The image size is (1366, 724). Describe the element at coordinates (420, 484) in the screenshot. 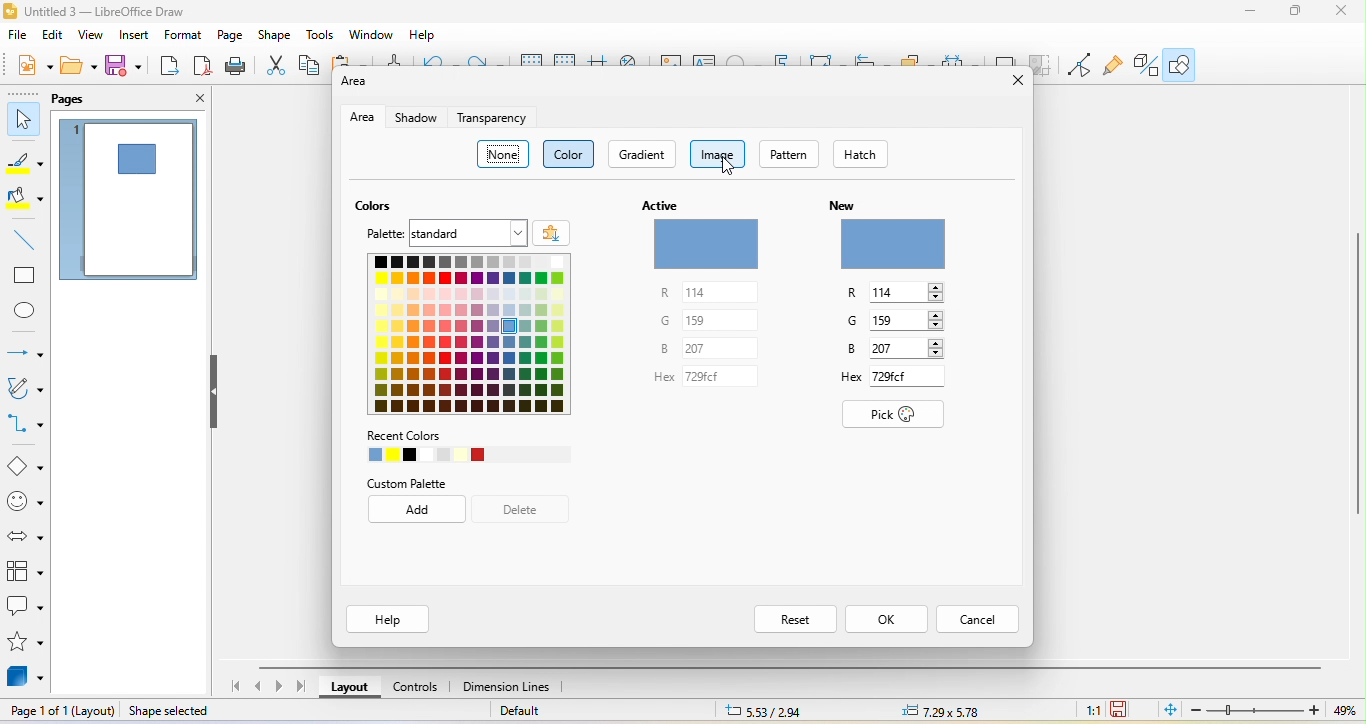

I see `custom palette` at that location.